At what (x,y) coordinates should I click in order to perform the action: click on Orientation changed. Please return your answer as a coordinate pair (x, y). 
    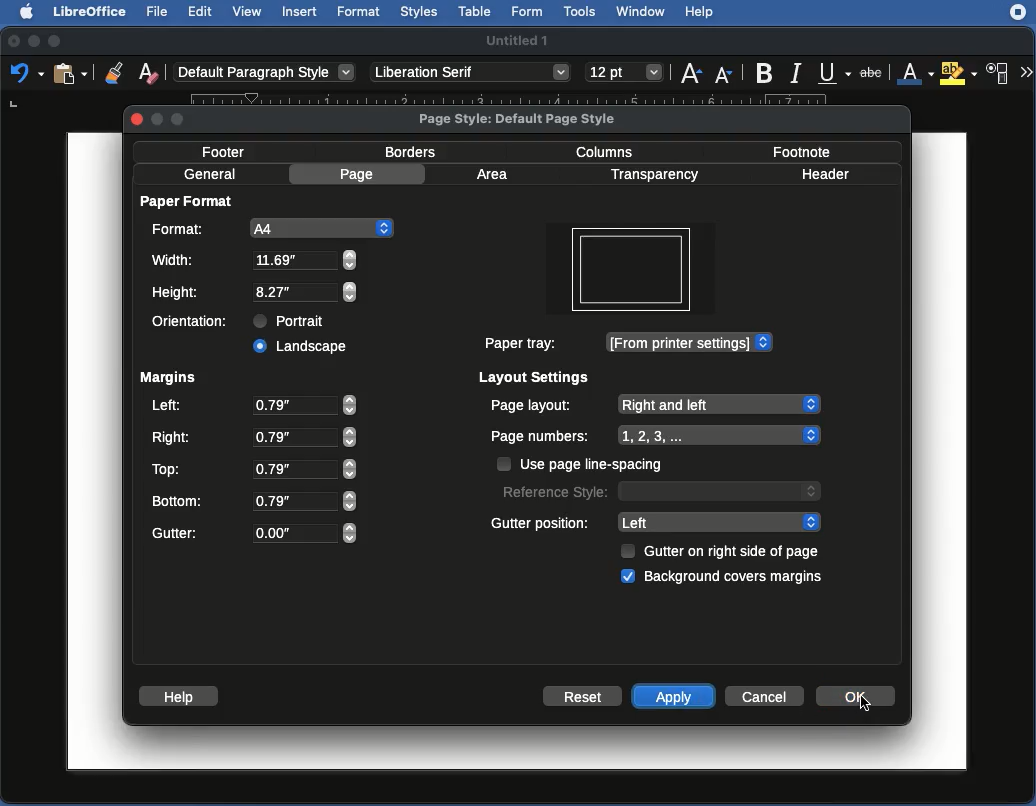
    Looking at the image, I should click on (634, 278).